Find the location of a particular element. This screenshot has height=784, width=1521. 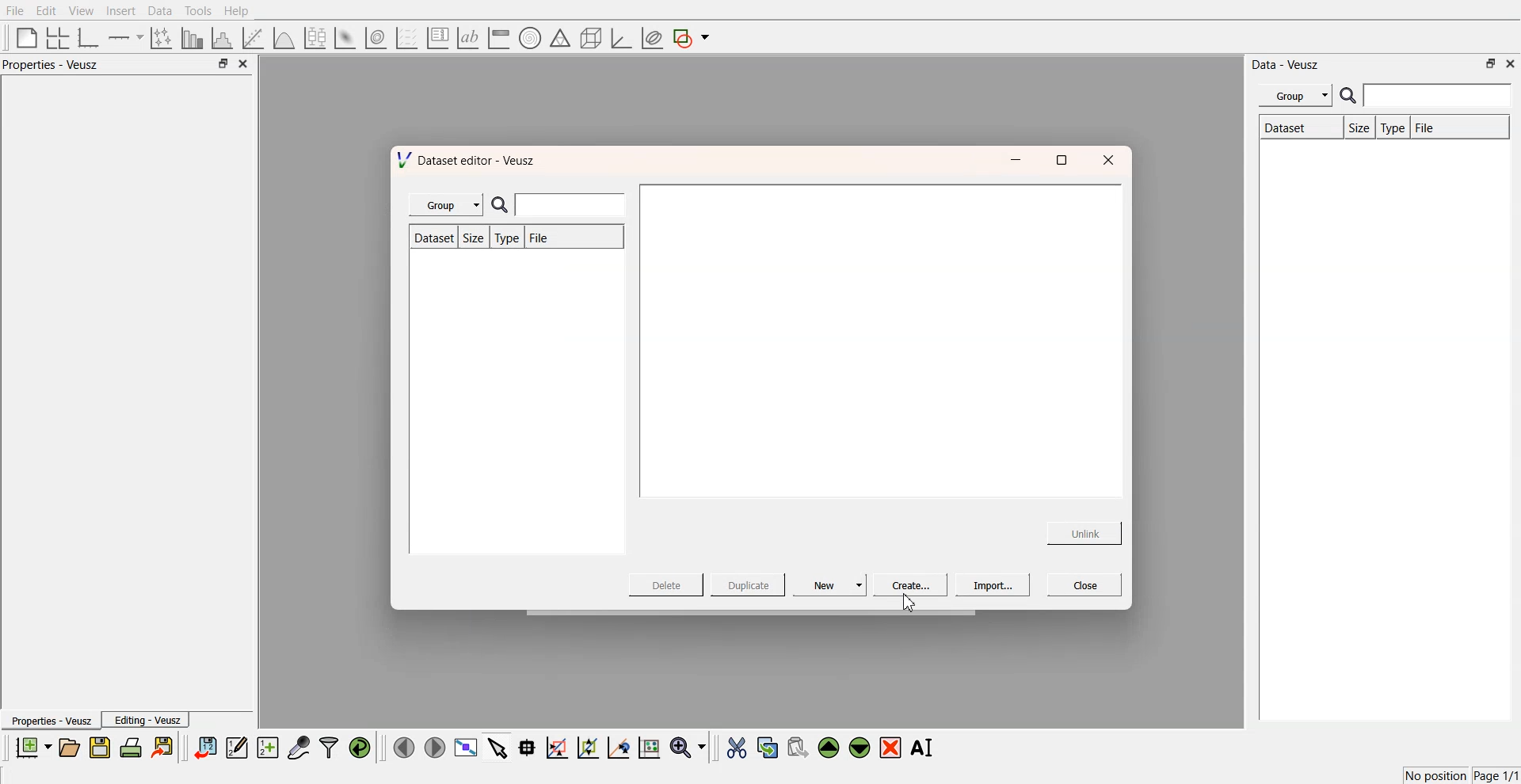

Type is located at coordinates (1393, 128).